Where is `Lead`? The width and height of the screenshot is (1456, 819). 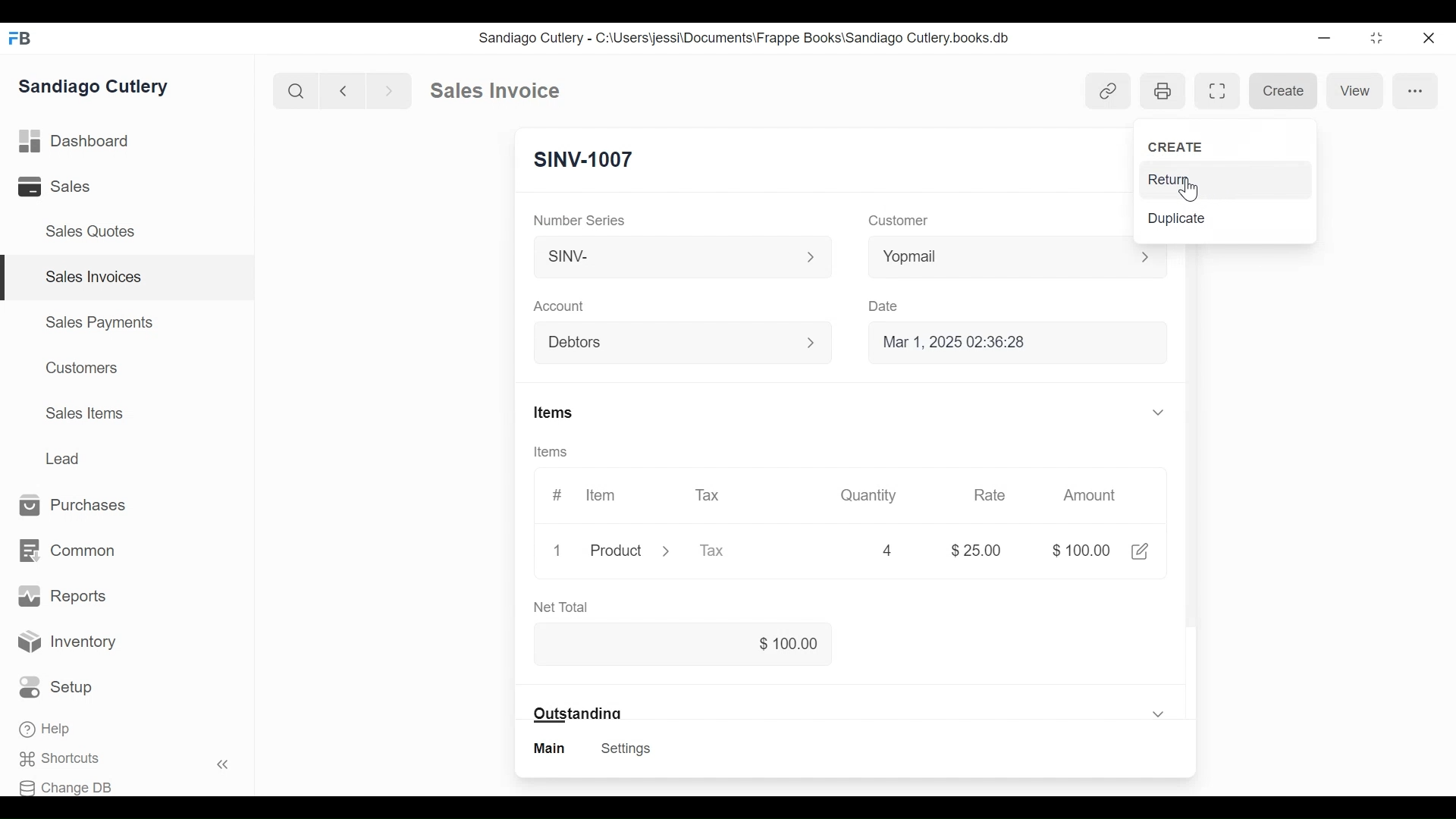 Lead is located at coordinates (64, 457).